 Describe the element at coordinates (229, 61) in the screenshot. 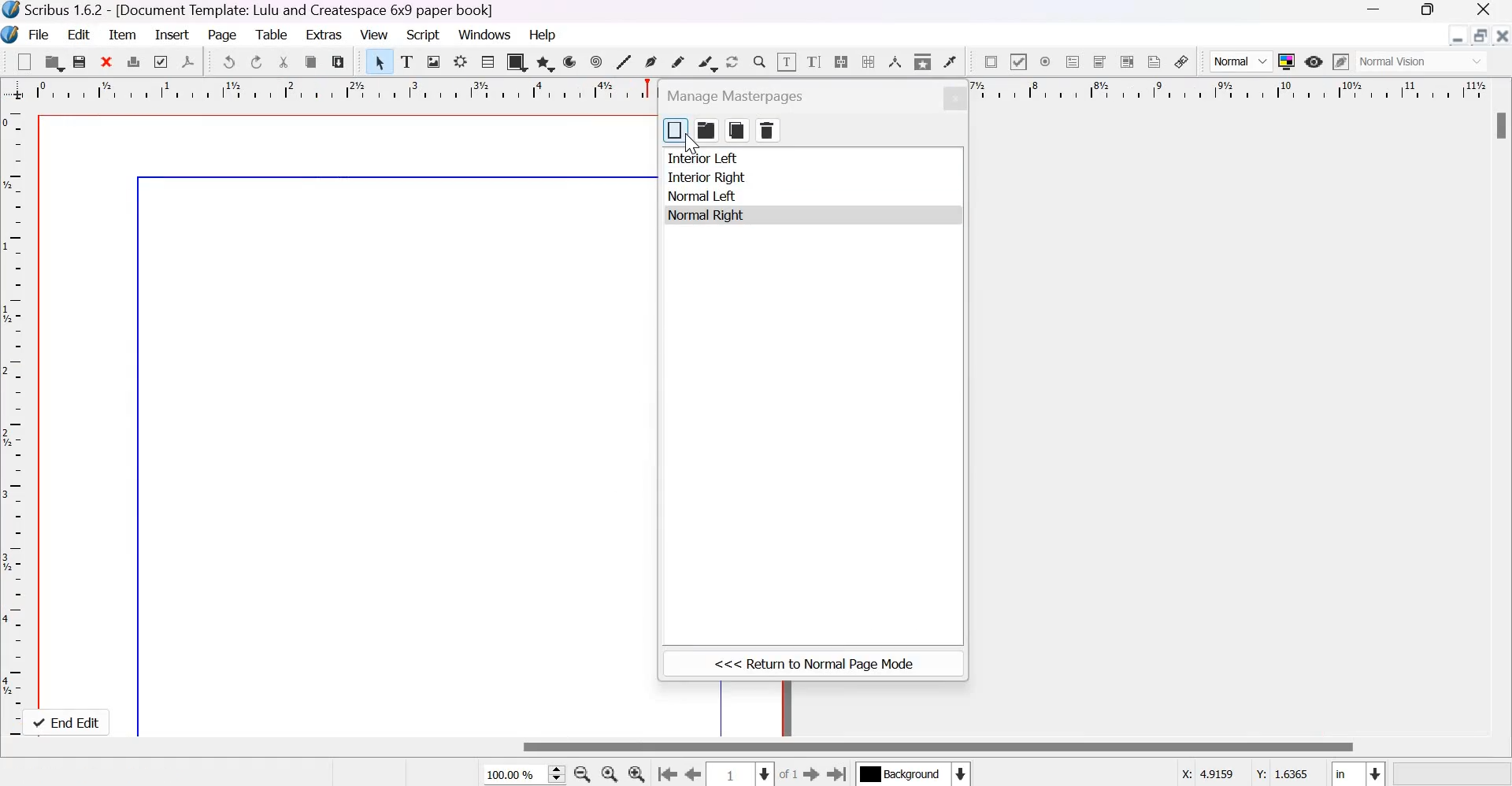

I see `undo` at that location.